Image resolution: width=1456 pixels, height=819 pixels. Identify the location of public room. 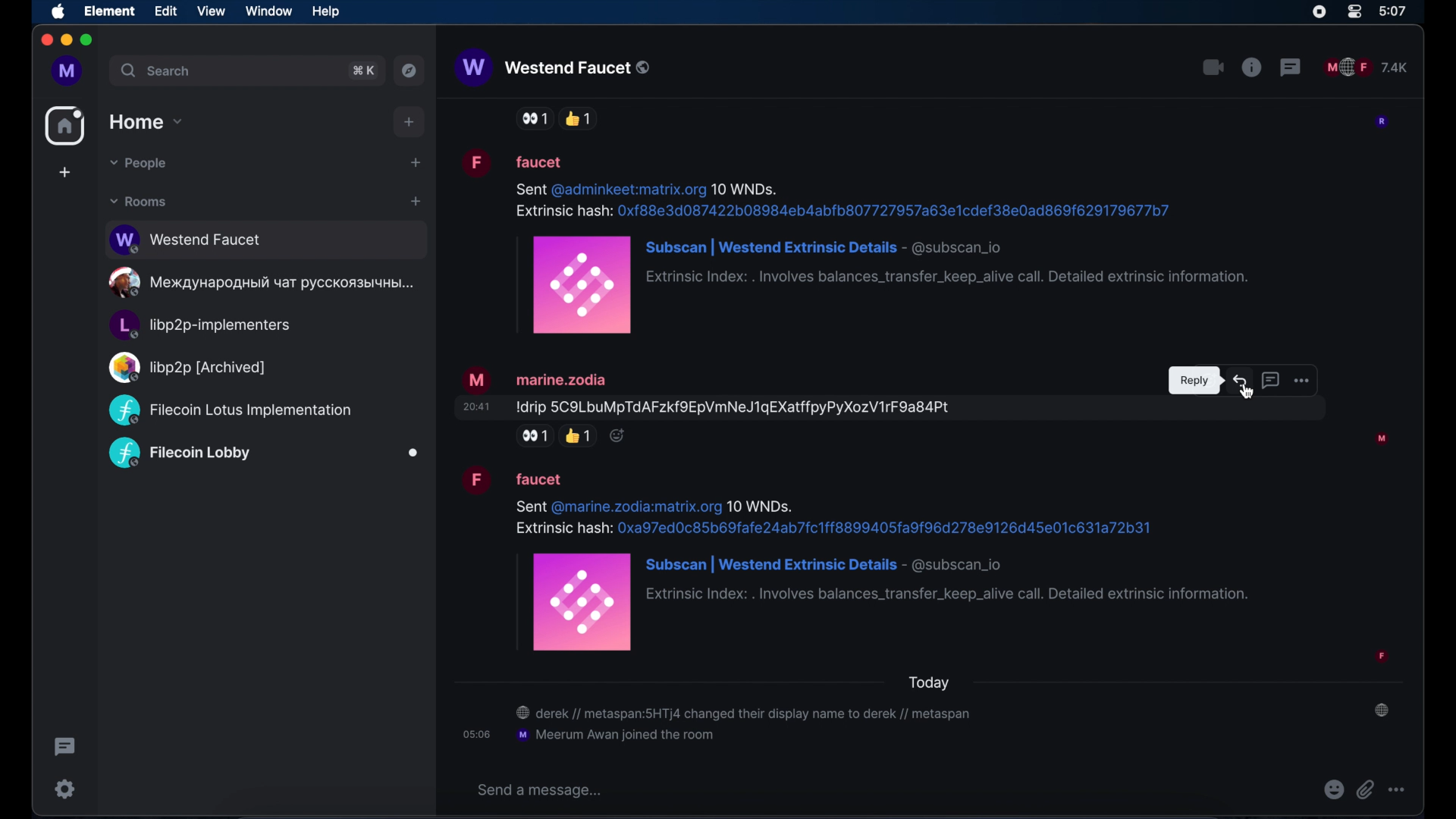
(264, 283).